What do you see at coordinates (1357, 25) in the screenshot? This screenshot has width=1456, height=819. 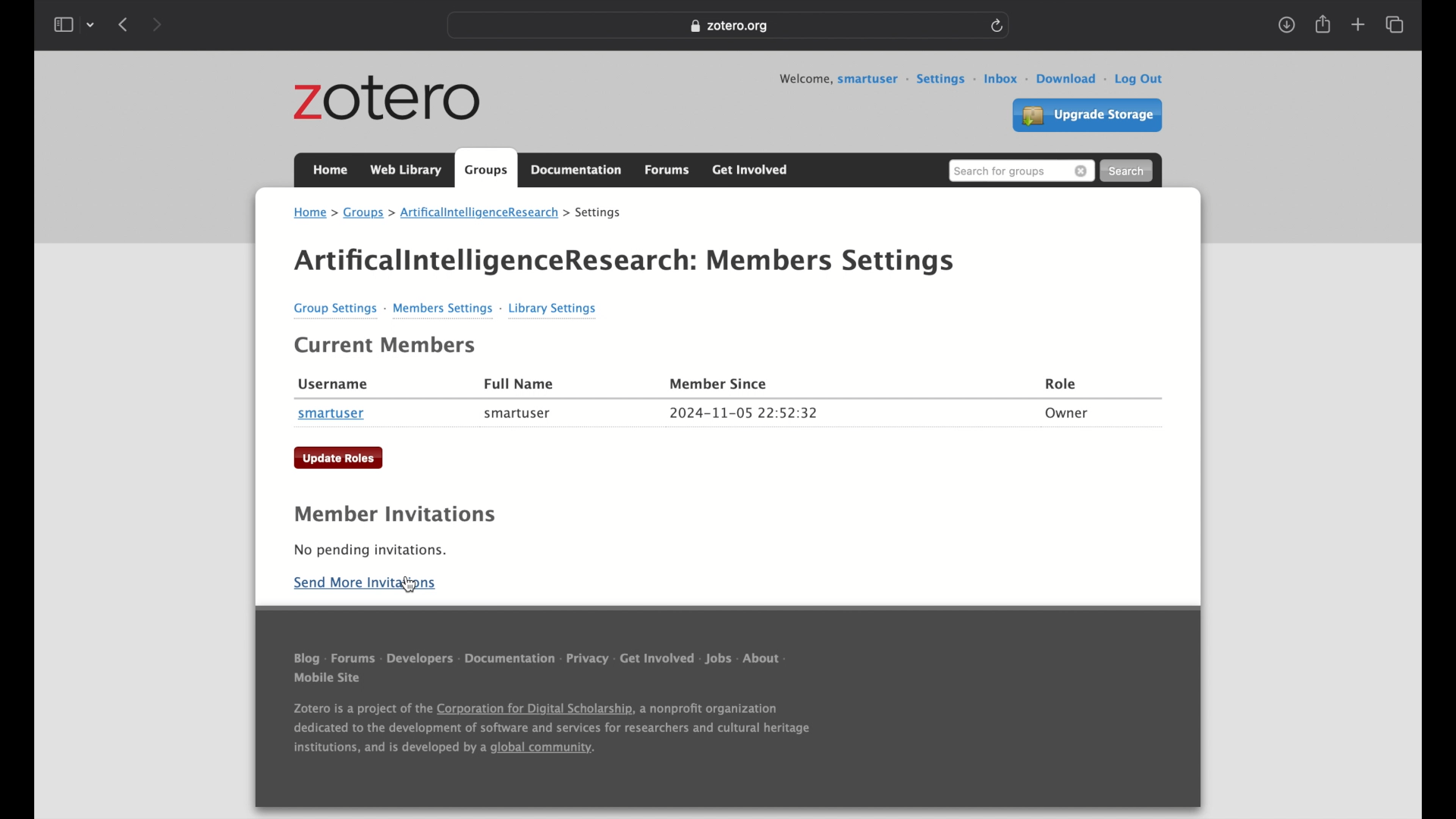 I see `new tab` at bounding box center [1357, 25].